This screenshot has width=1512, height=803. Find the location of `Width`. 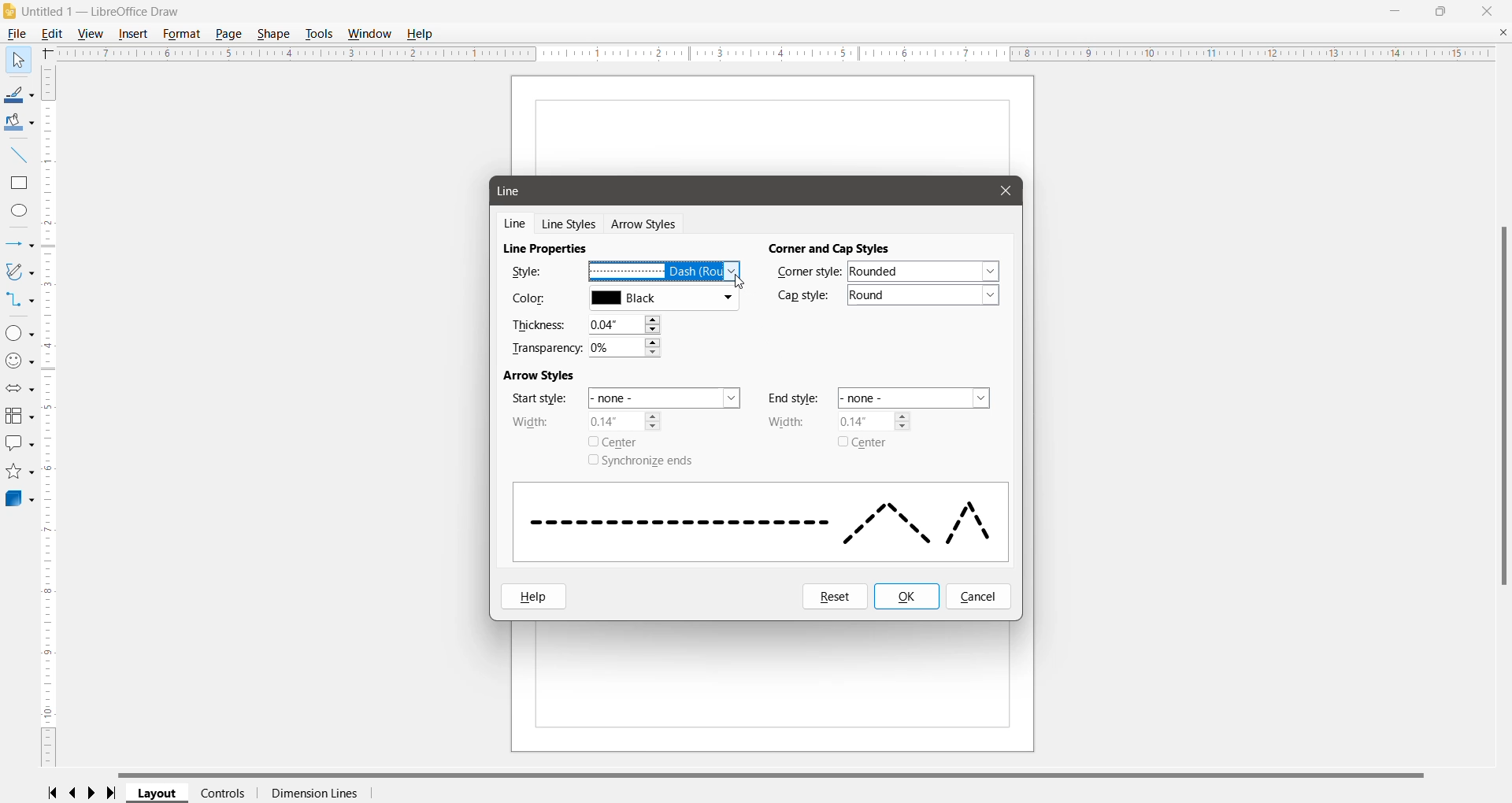

Width is located at coordinates (790, 420).